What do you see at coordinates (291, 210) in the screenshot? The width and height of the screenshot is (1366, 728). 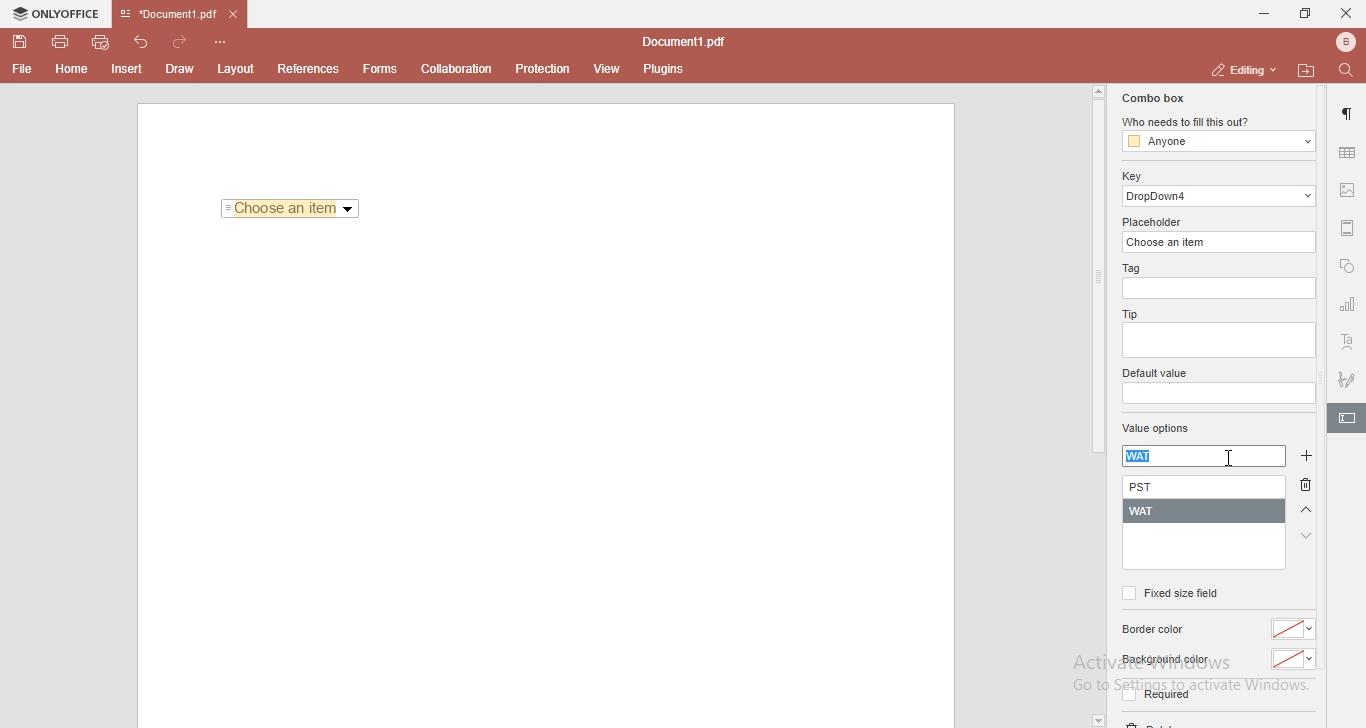 I see `Choose an item` at bounding box center [291, 210].